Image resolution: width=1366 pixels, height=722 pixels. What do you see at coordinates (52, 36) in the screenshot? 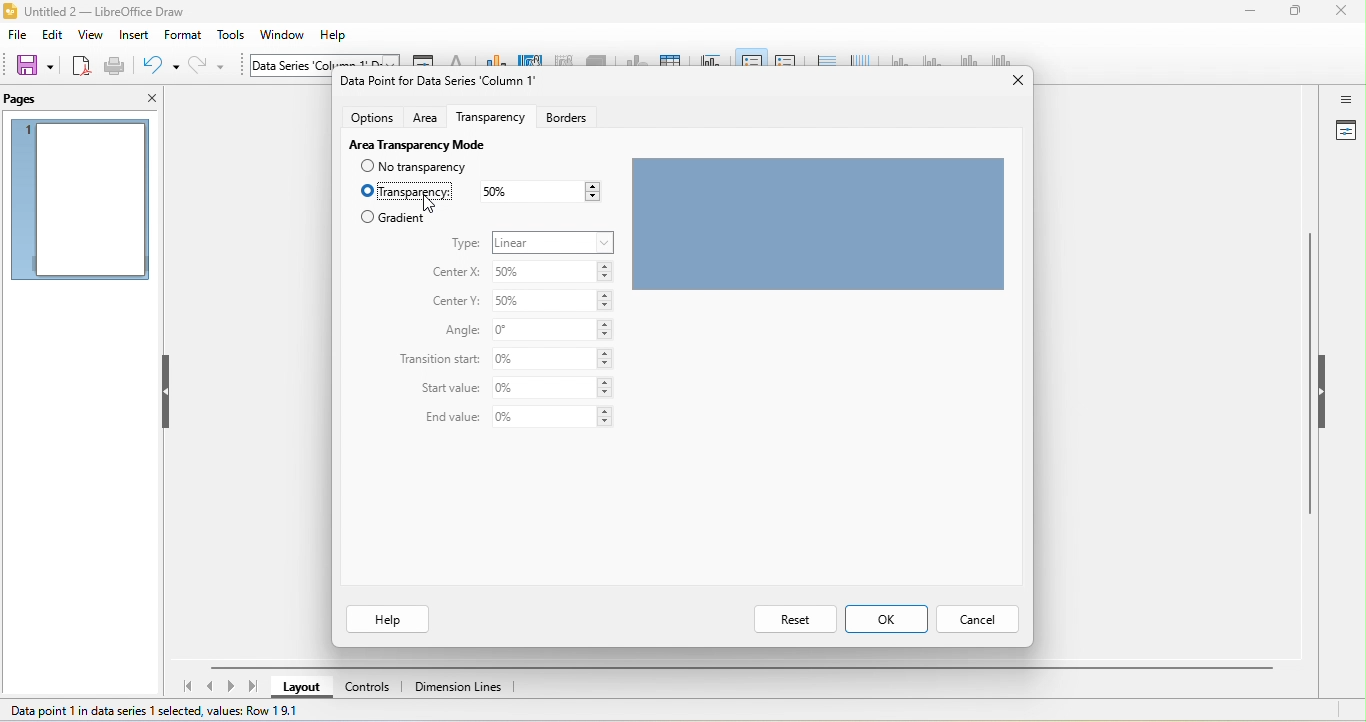
I see `edit` at bounding box center [52, 36].